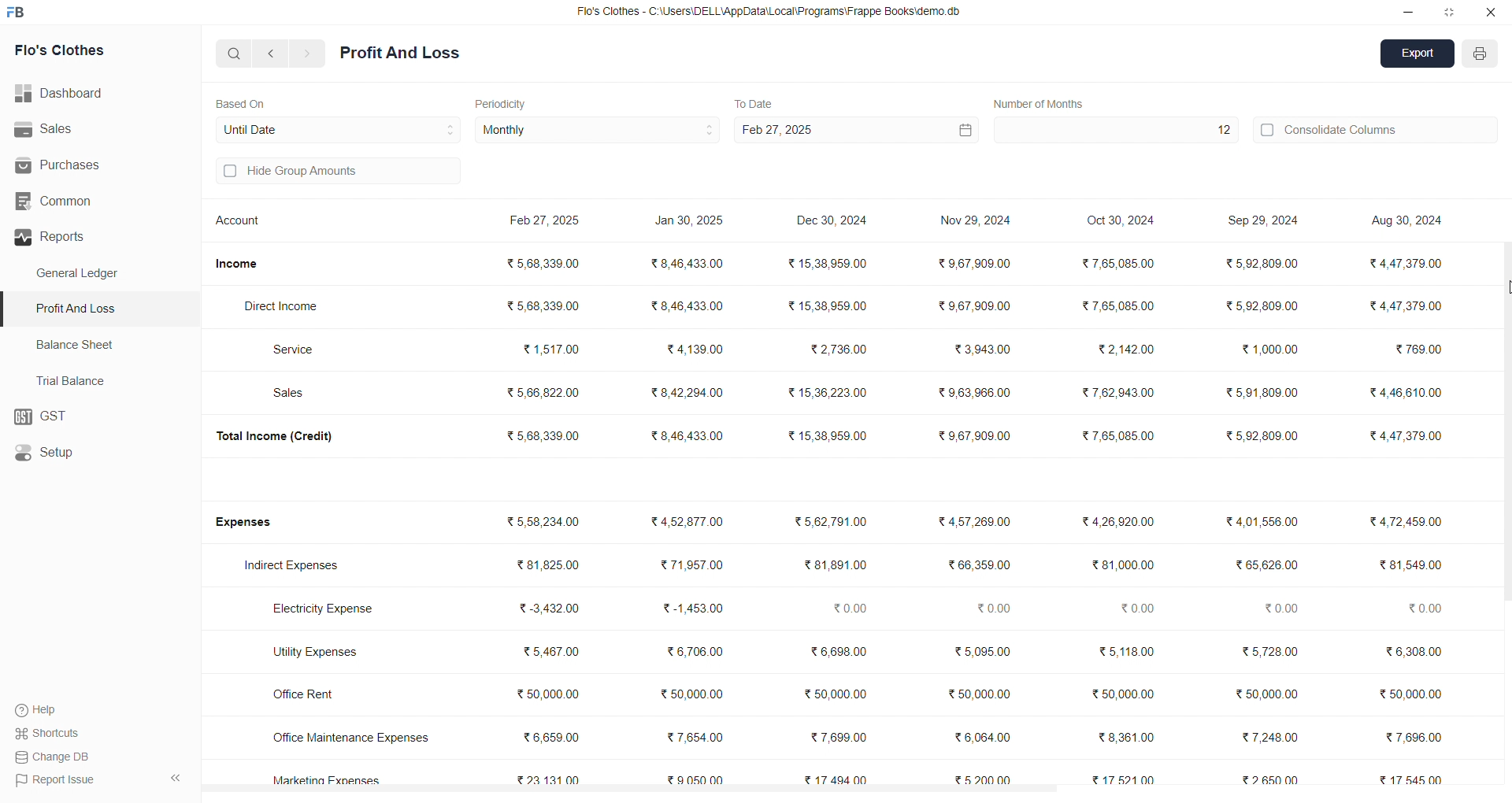  I want to click on ₹7,62,943.00, so click(1118, 394).